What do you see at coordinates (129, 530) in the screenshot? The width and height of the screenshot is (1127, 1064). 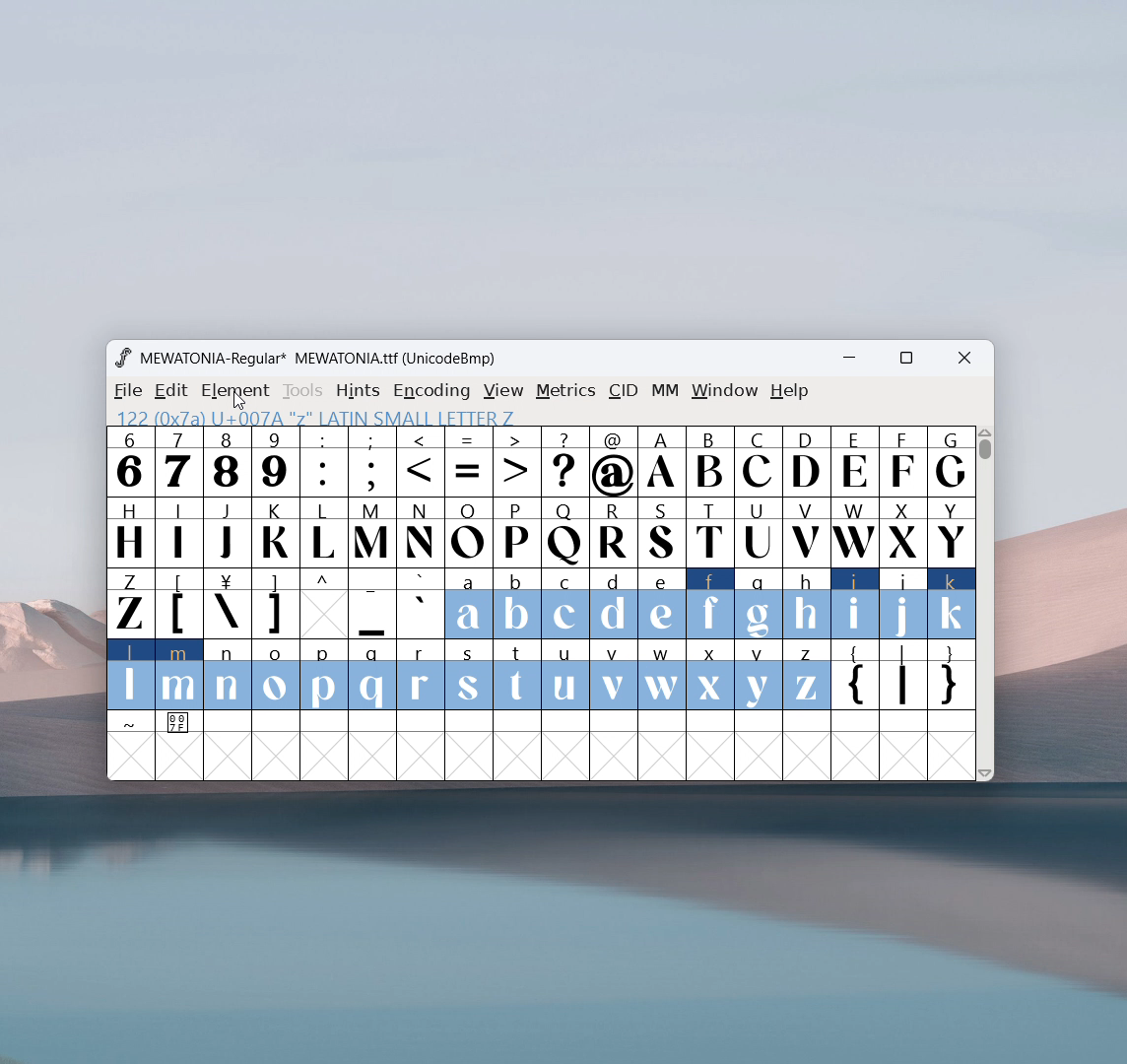 I see `H` at bounding box center [129, 530].